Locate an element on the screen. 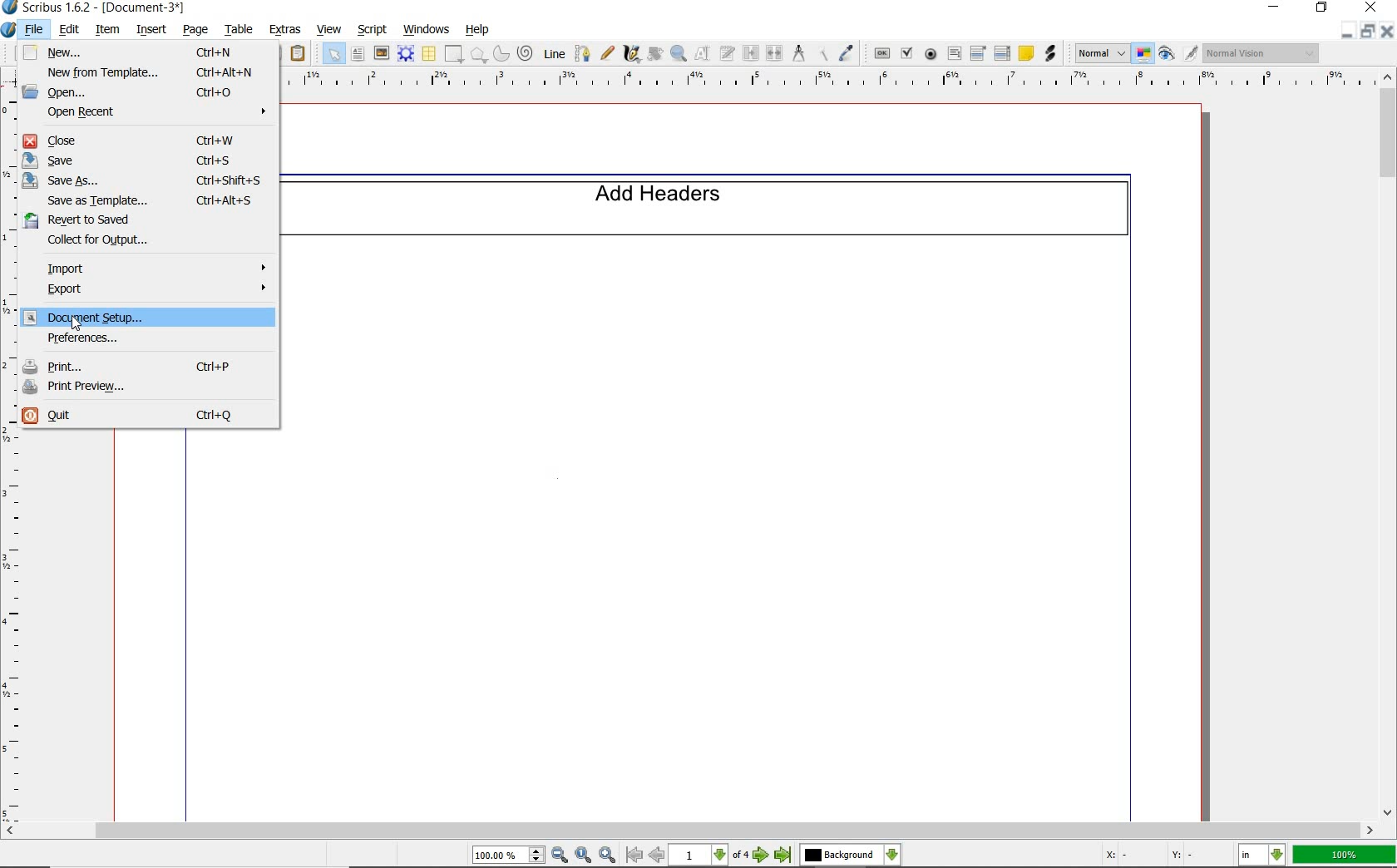 The width and height of the screenshot is (1397, 868). arc is located at coordinates (500, 55).